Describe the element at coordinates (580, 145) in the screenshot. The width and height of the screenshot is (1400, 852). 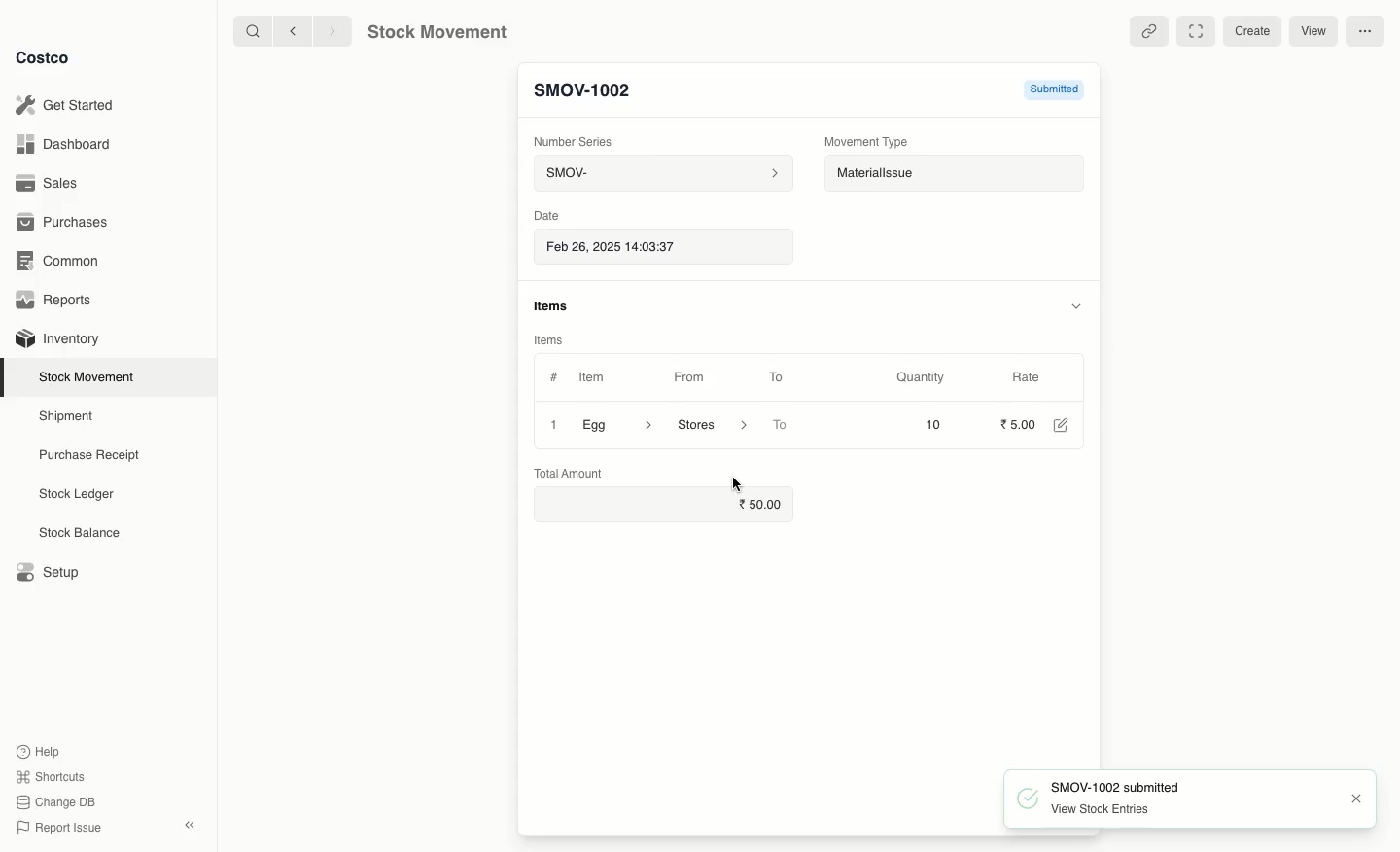
I see `Number Series` at that location.